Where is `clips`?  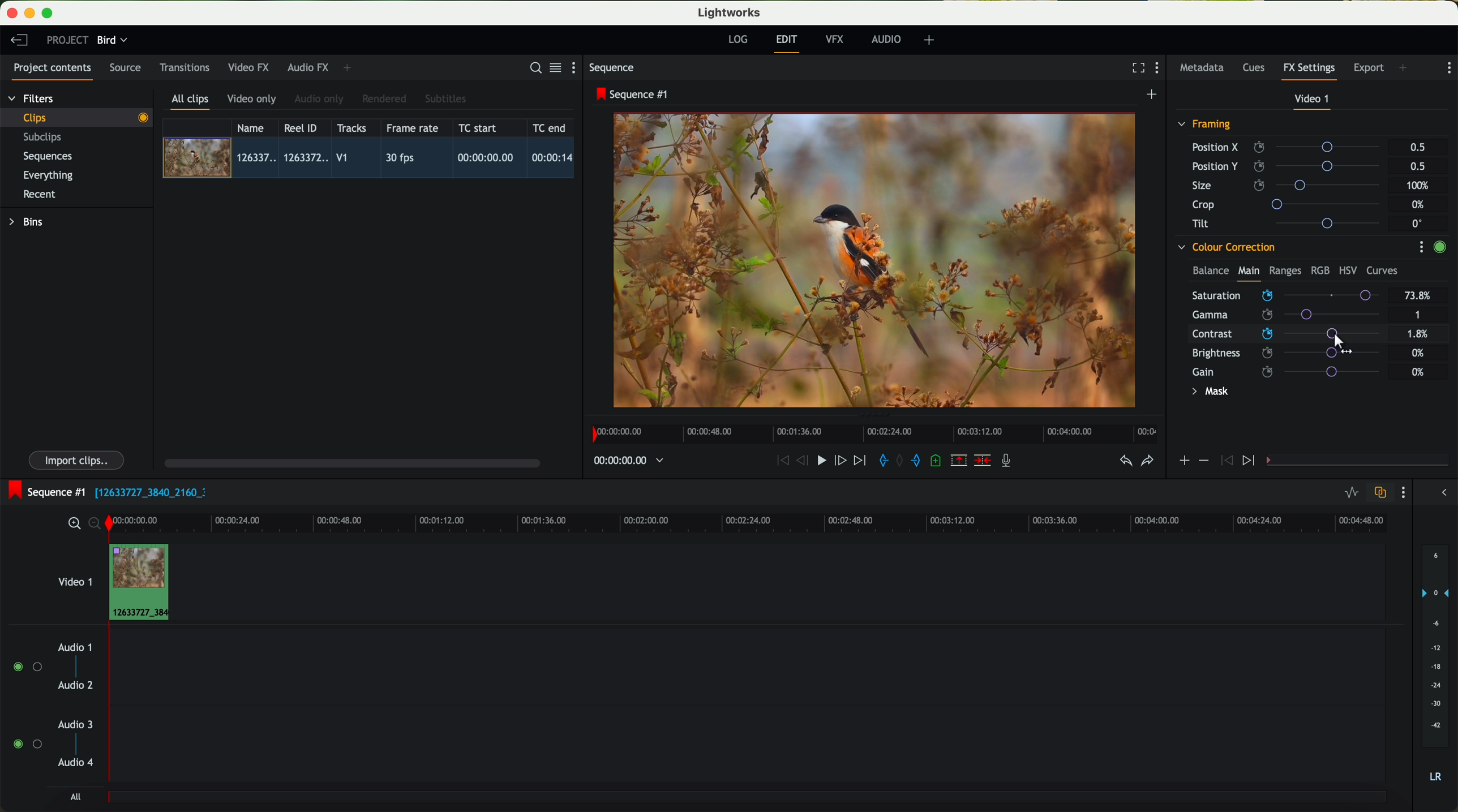 clips is located at coordinates (77, 117).